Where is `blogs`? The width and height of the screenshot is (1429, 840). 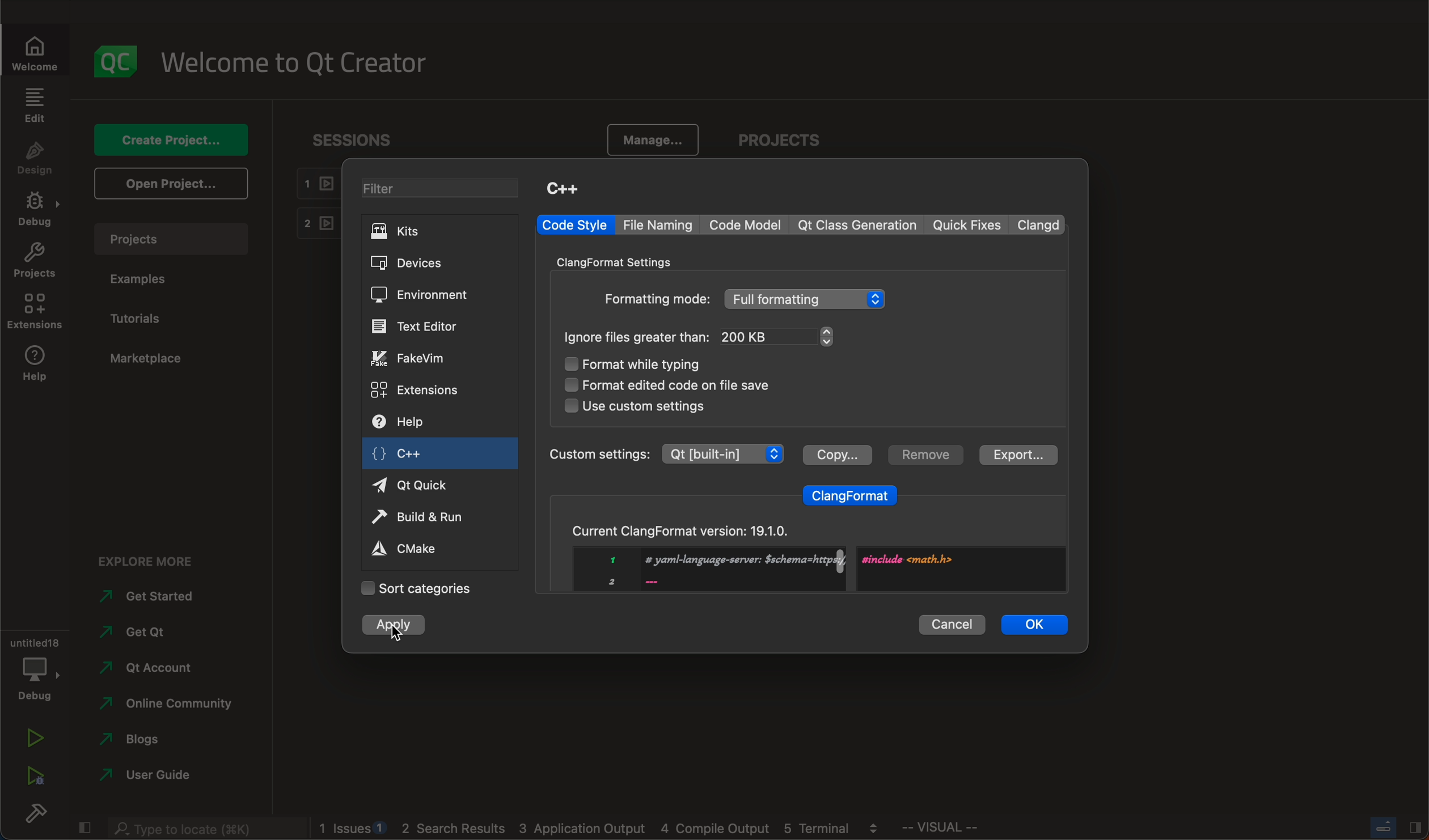 blogs is located at coordinates (147, 742).